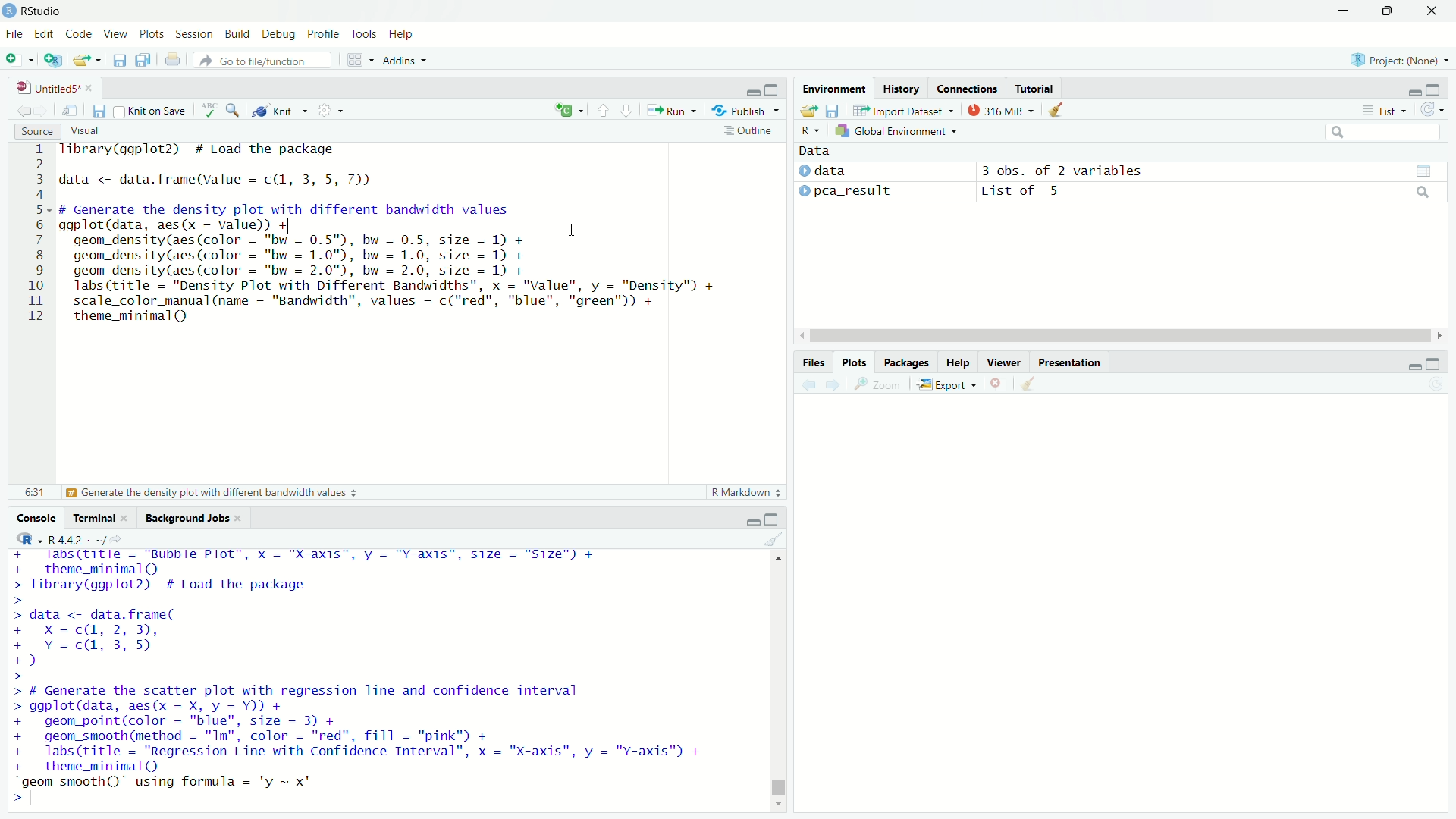 The height and width of the screenshot is (819, 1456). I want to click on minimize, so click(1413, 93).